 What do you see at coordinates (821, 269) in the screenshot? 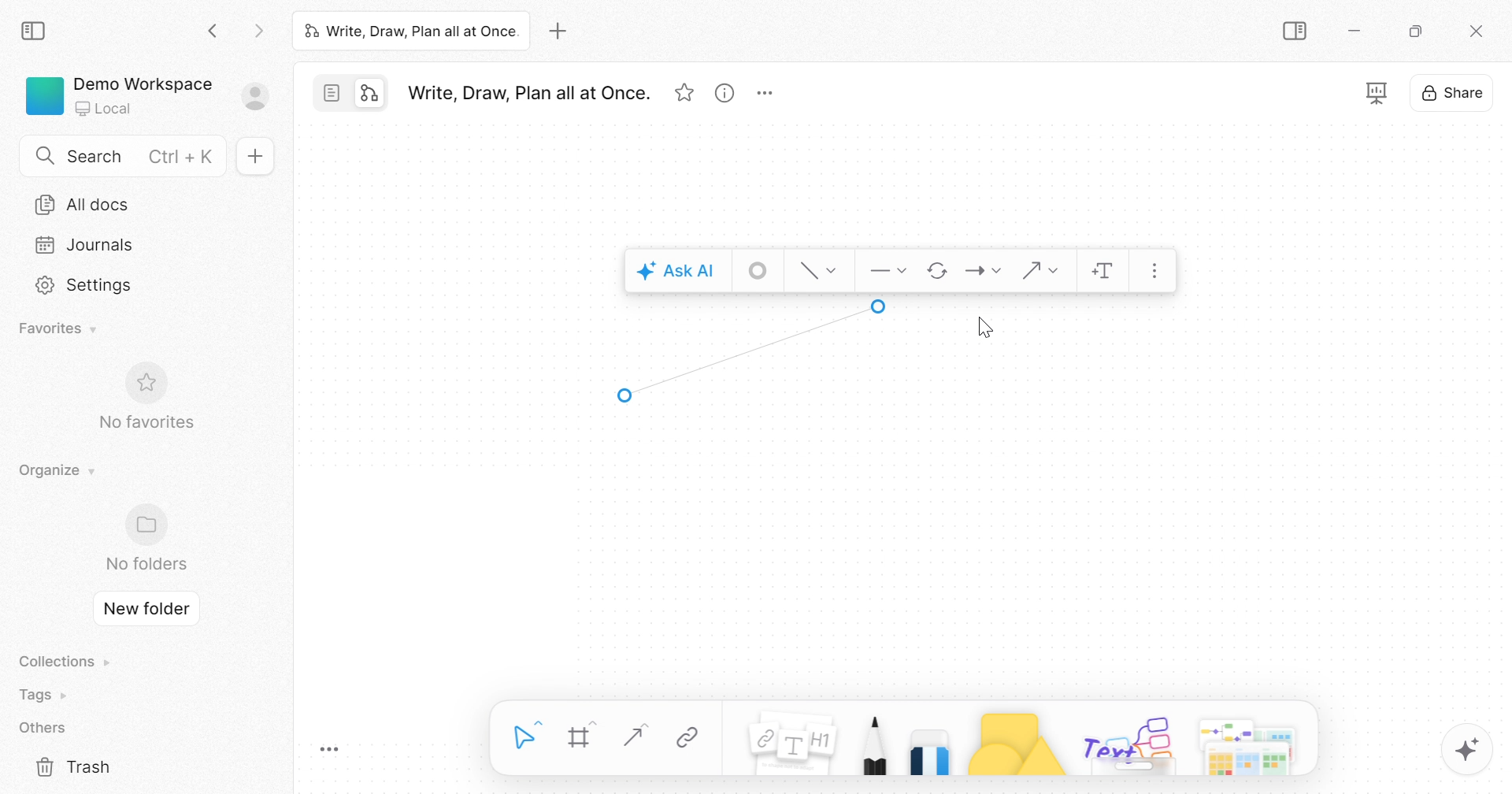
I see `Style` at bounding box center [821, 269].